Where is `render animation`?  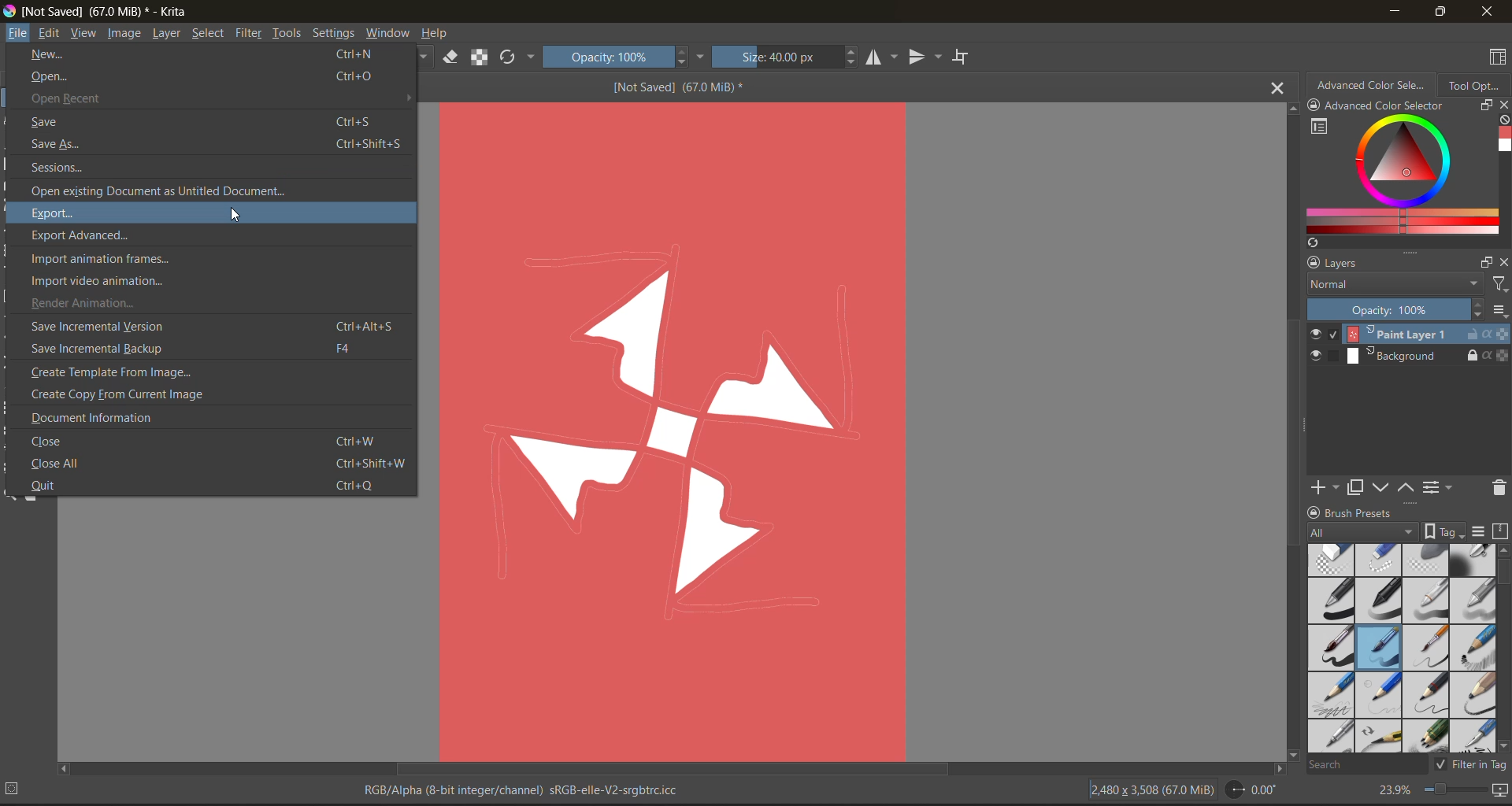 render animation is located at coordinates (189, 303).